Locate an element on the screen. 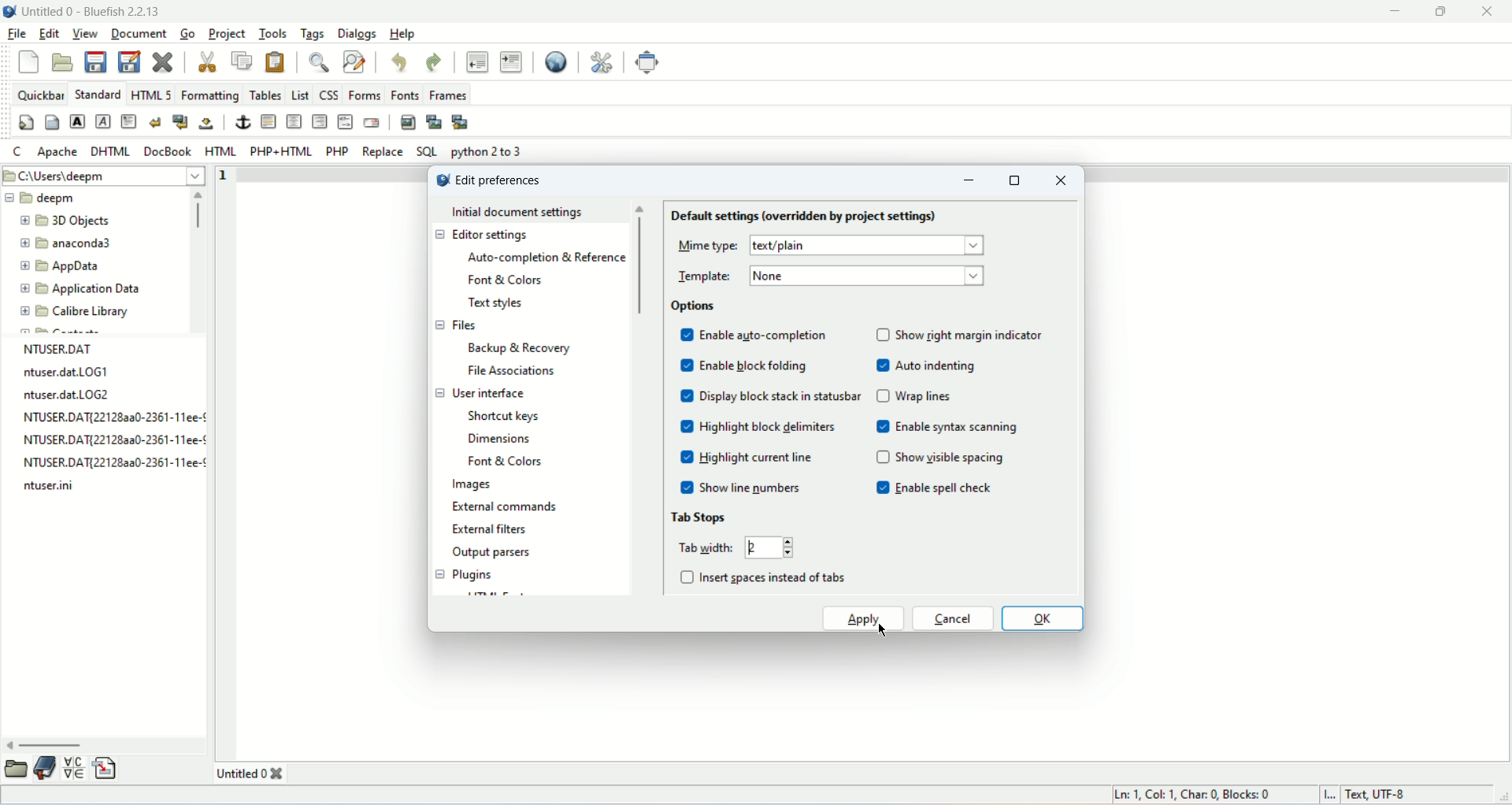 The height and width of the screenshot is (805, 1512). HTML 5 is located at coordinates (153, 95).